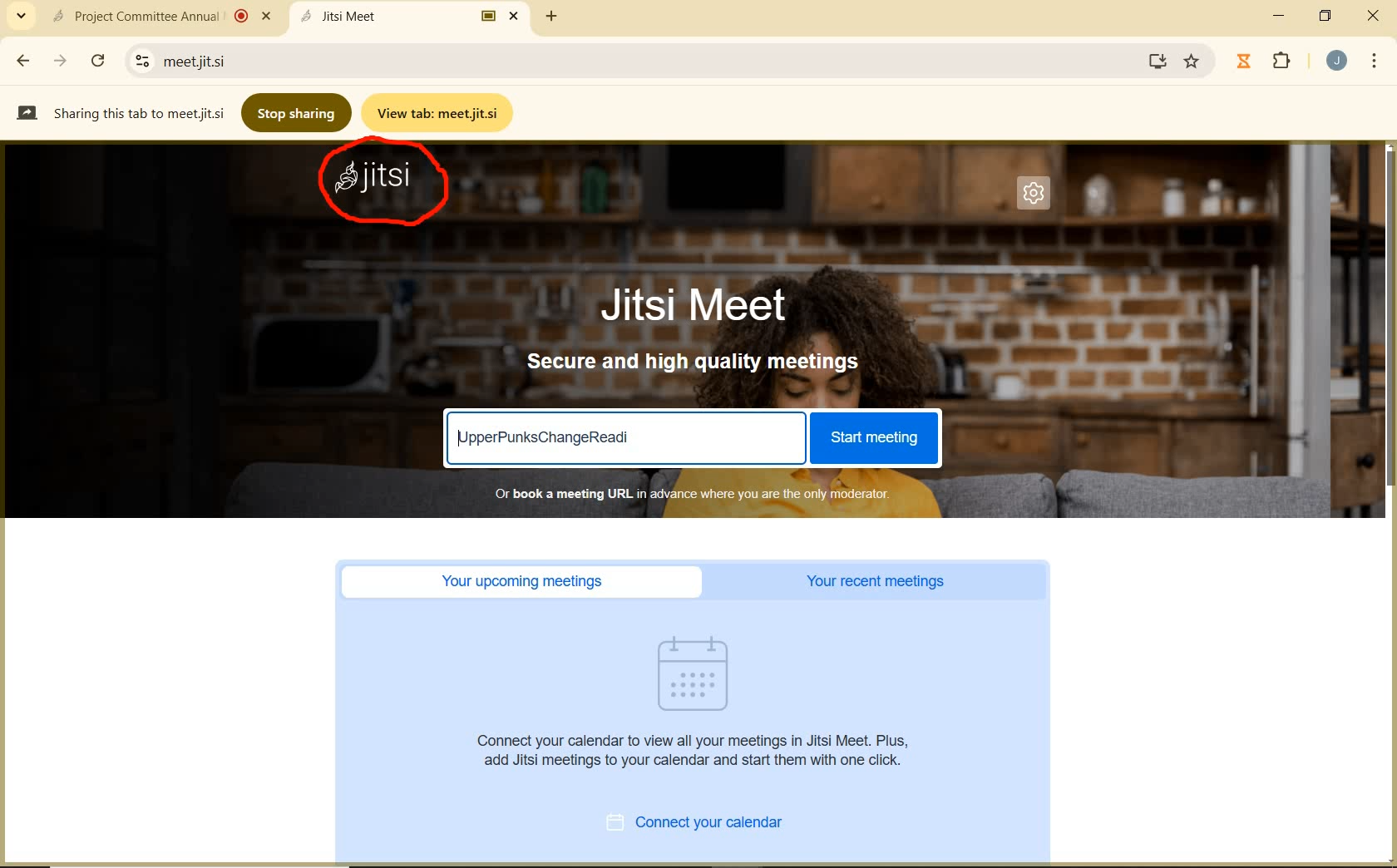  I want to click on reload, so click(97, 58).